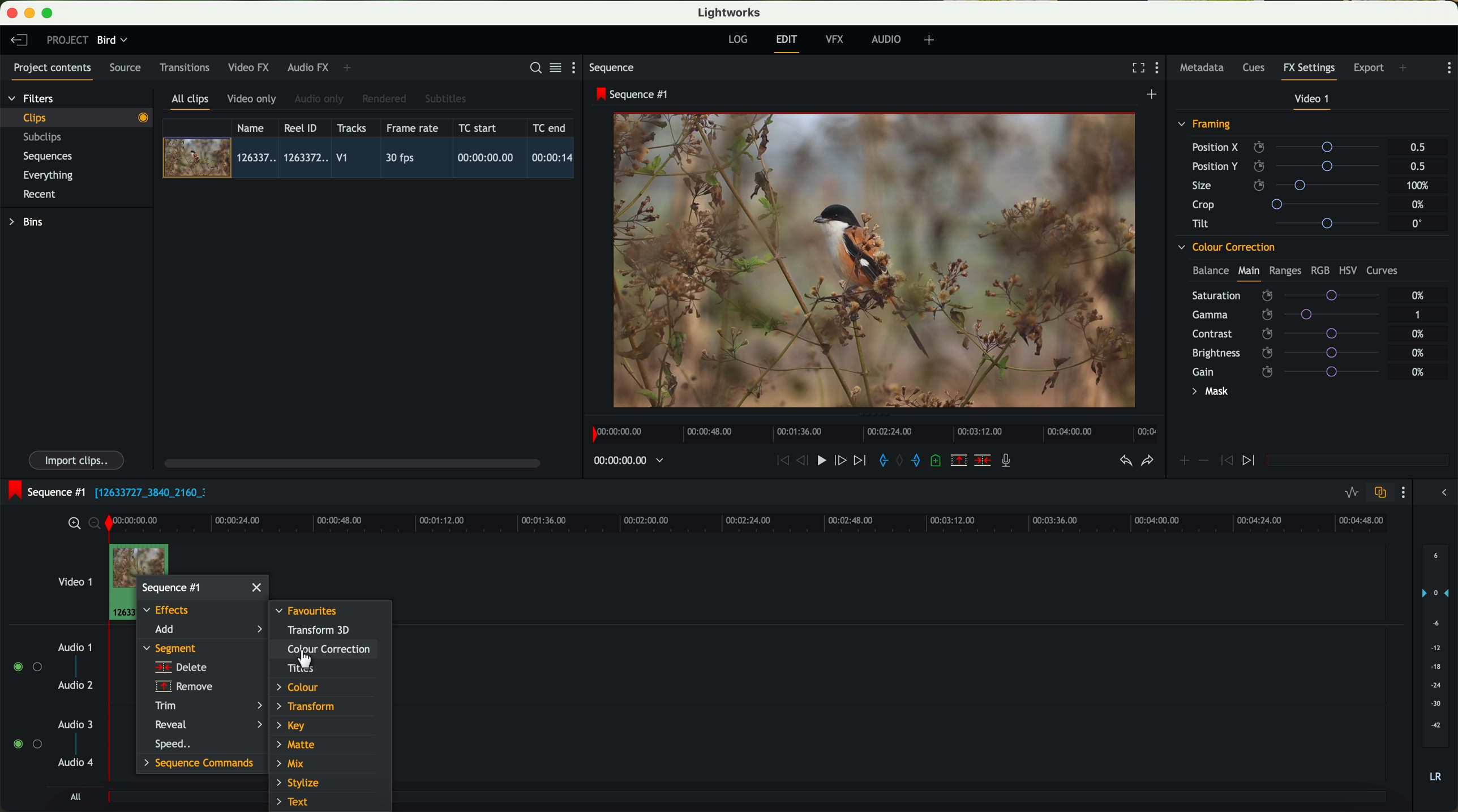  I want to click on audio 4, so click(76, 763).